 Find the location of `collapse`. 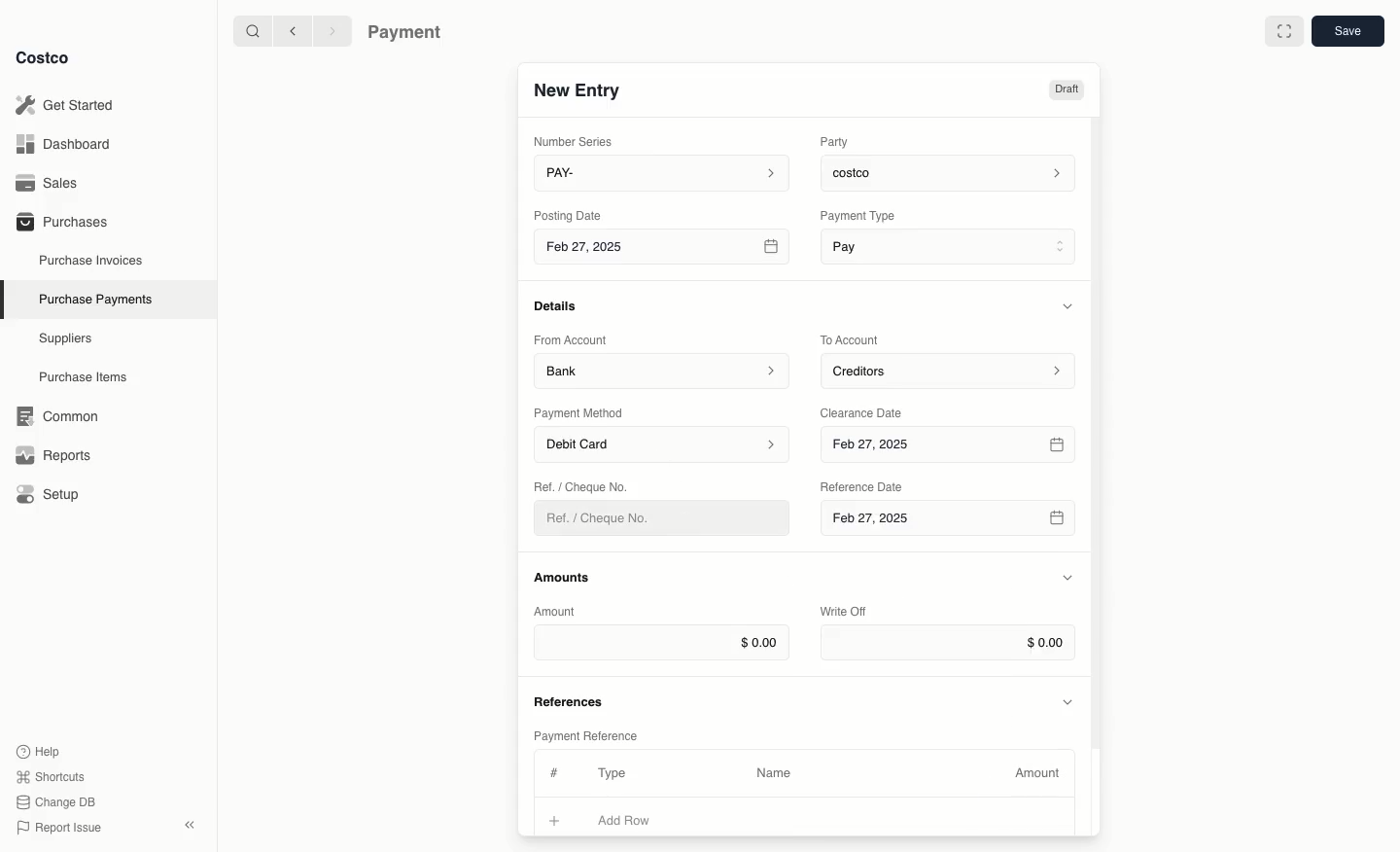

collapse is located at coordinates (189, 825).